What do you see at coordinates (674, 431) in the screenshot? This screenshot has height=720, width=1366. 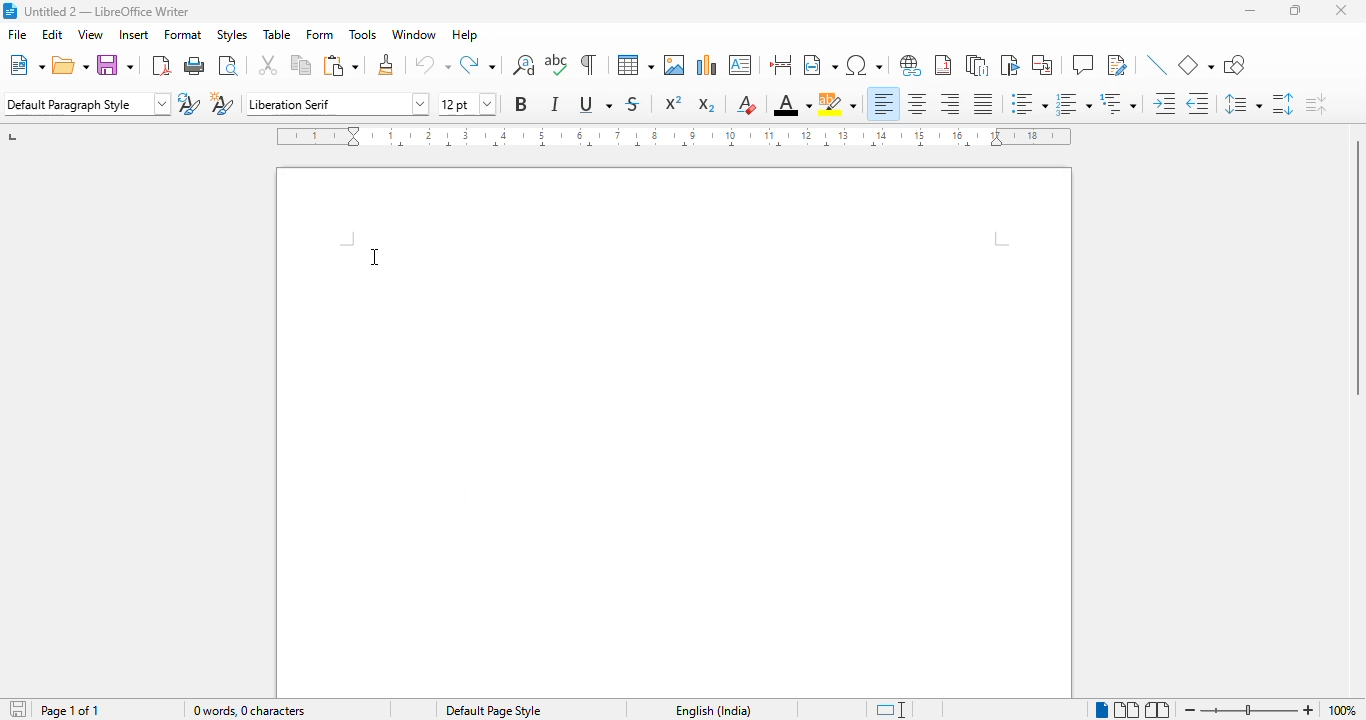 I see `page` at bounding box center [674, 431].